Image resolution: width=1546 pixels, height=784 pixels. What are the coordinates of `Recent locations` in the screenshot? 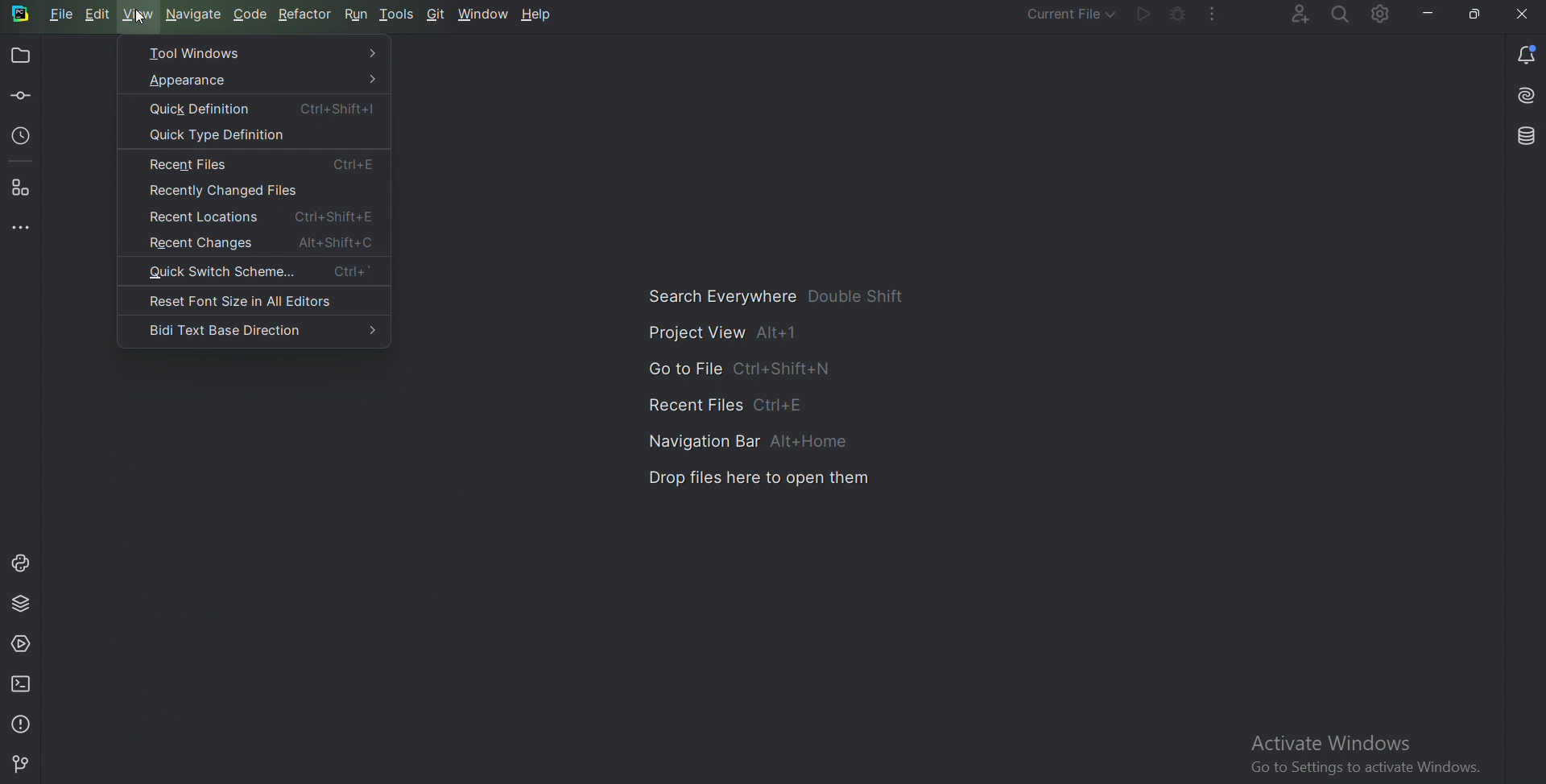 It's located at (253, 217).